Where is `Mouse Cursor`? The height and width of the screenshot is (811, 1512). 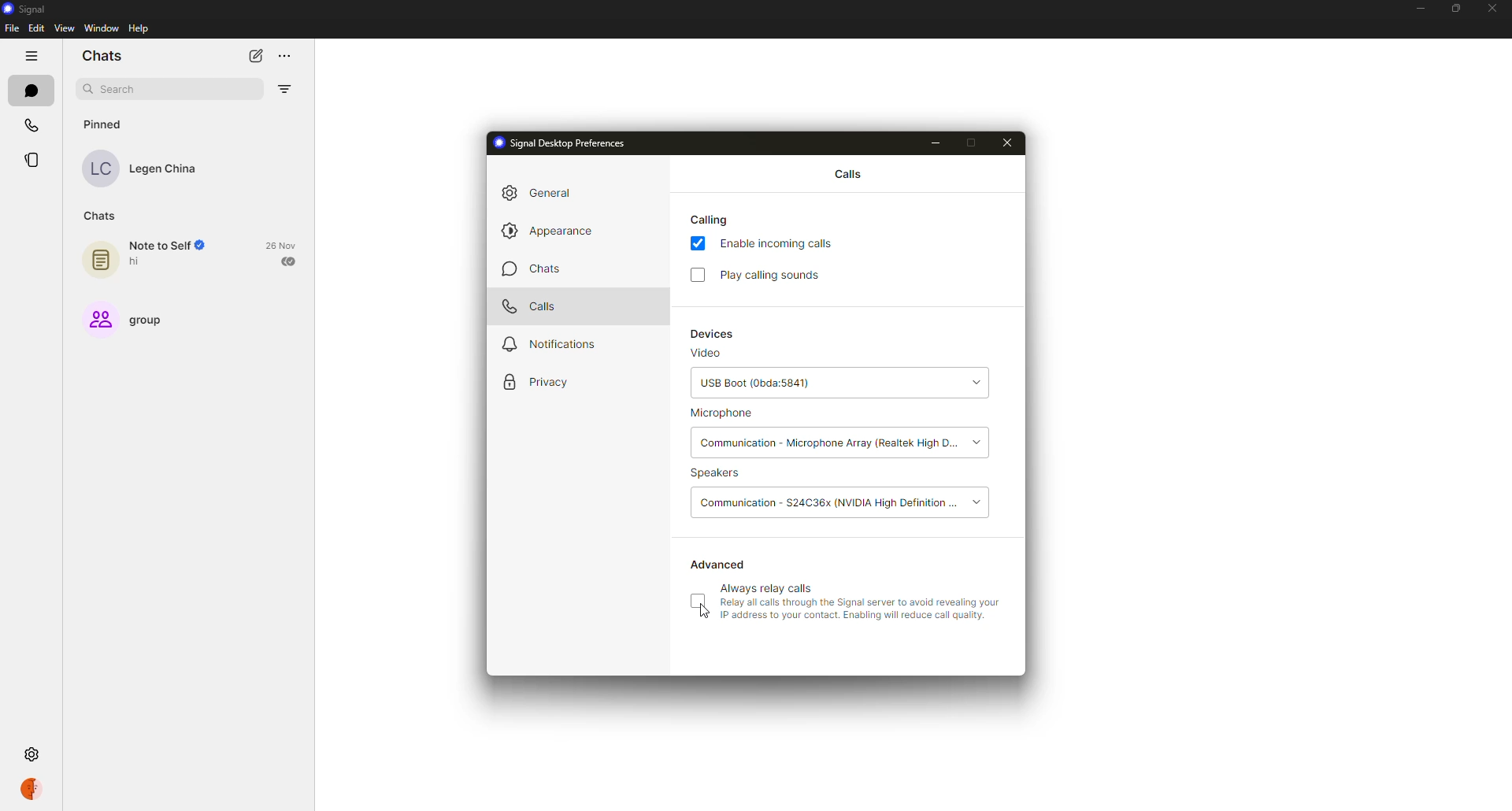 Mouse Cursor is located at coordinates (700, 616).